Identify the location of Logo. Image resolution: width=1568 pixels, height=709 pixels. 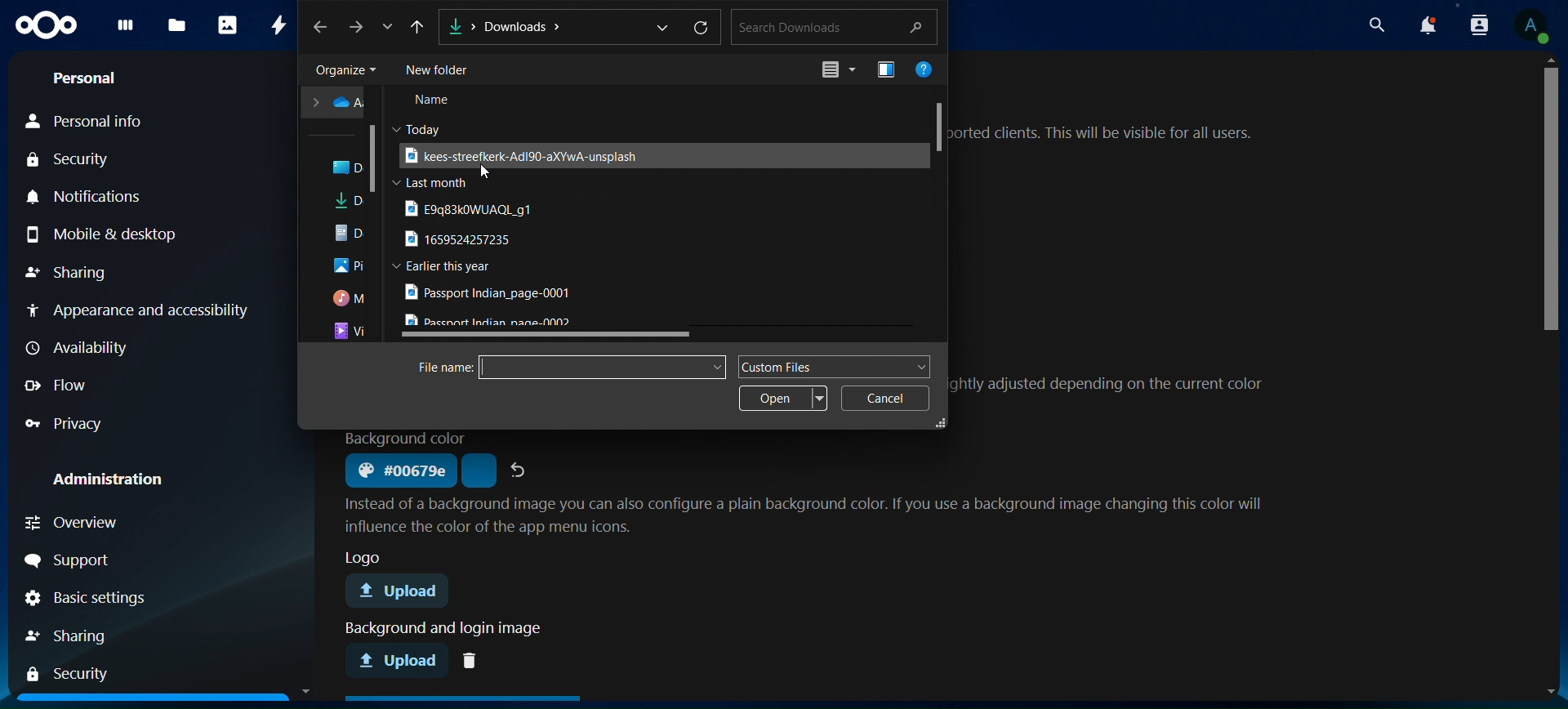
(360, 556).